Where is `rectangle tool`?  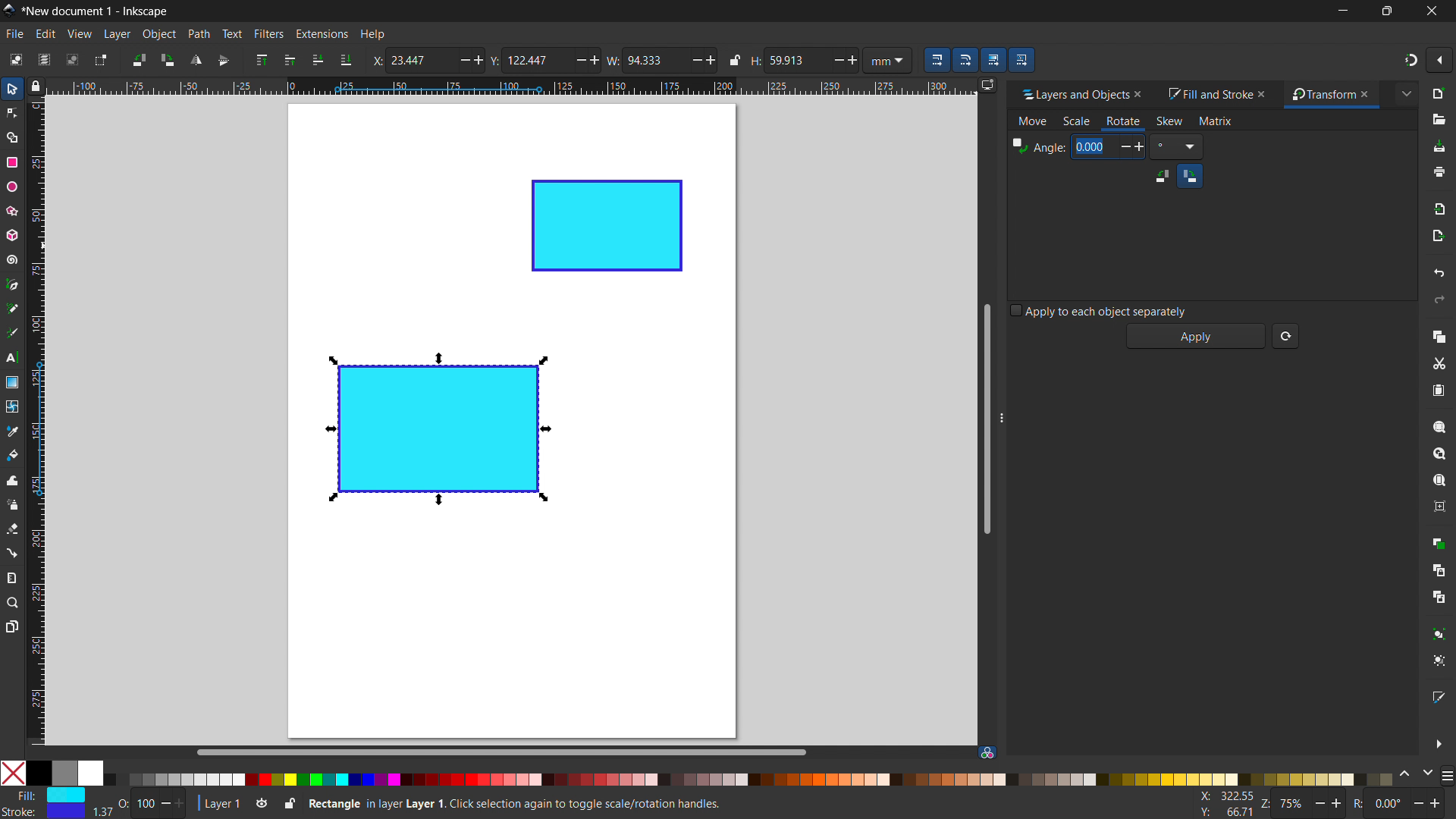 rectangle tool is located at coordinates (12, 162).